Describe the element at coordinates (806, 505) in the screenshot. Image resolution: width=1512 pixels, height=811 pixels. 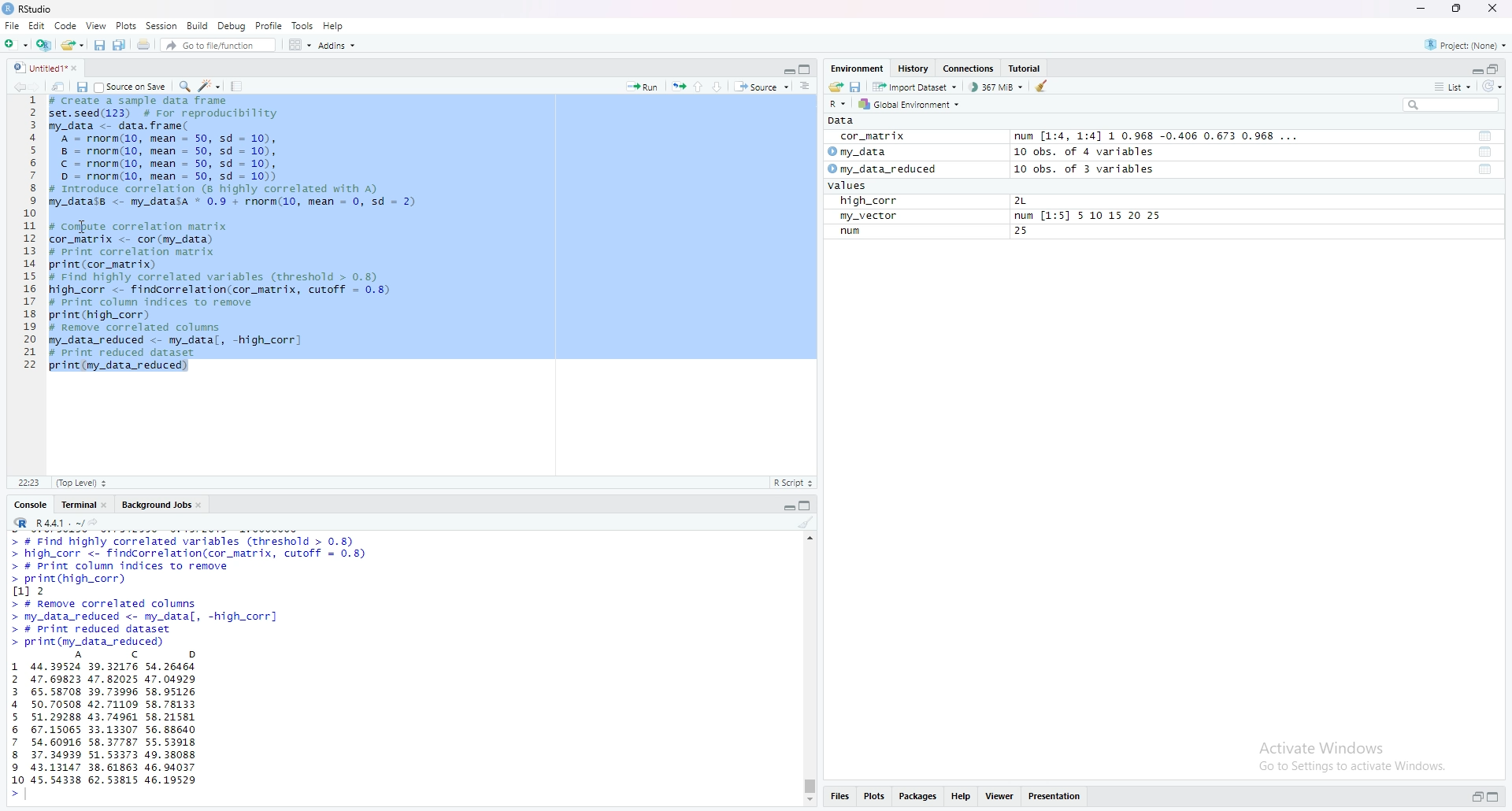
I see `copy` at that location.